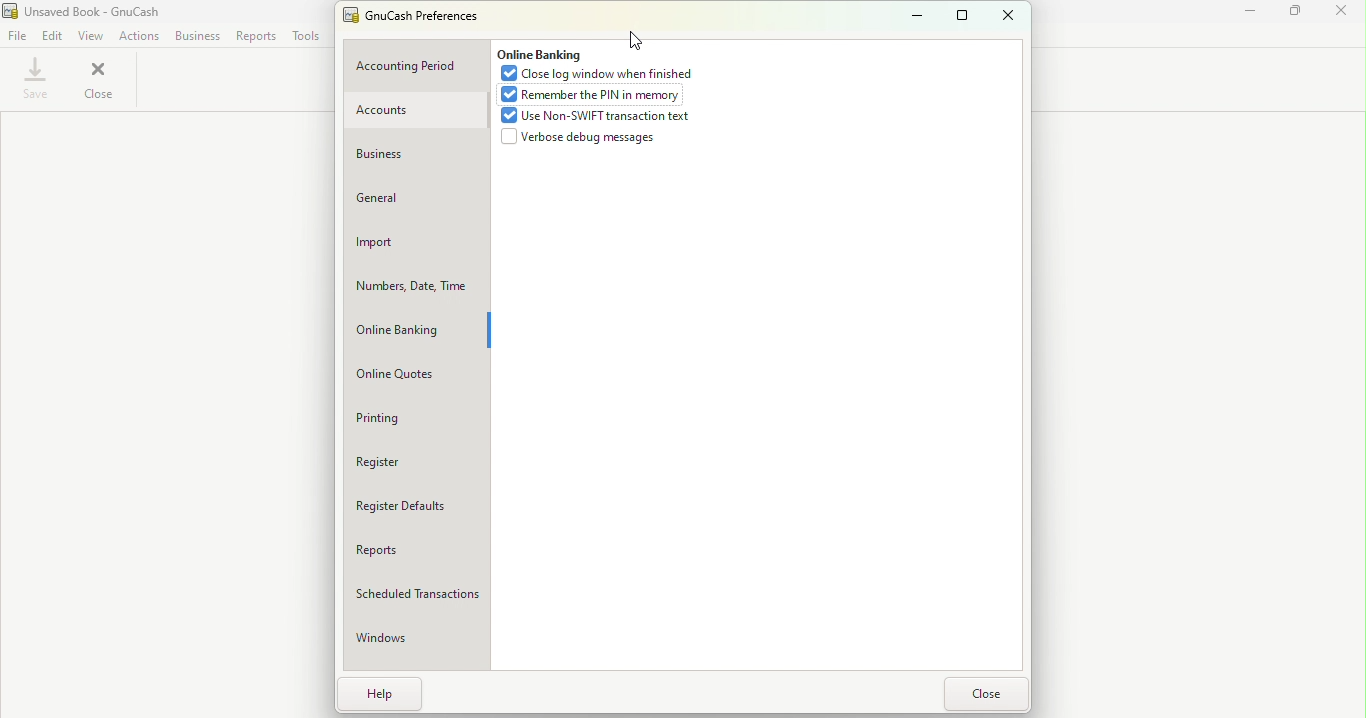  I want to click on Close log window when finished, so click(603, 75).